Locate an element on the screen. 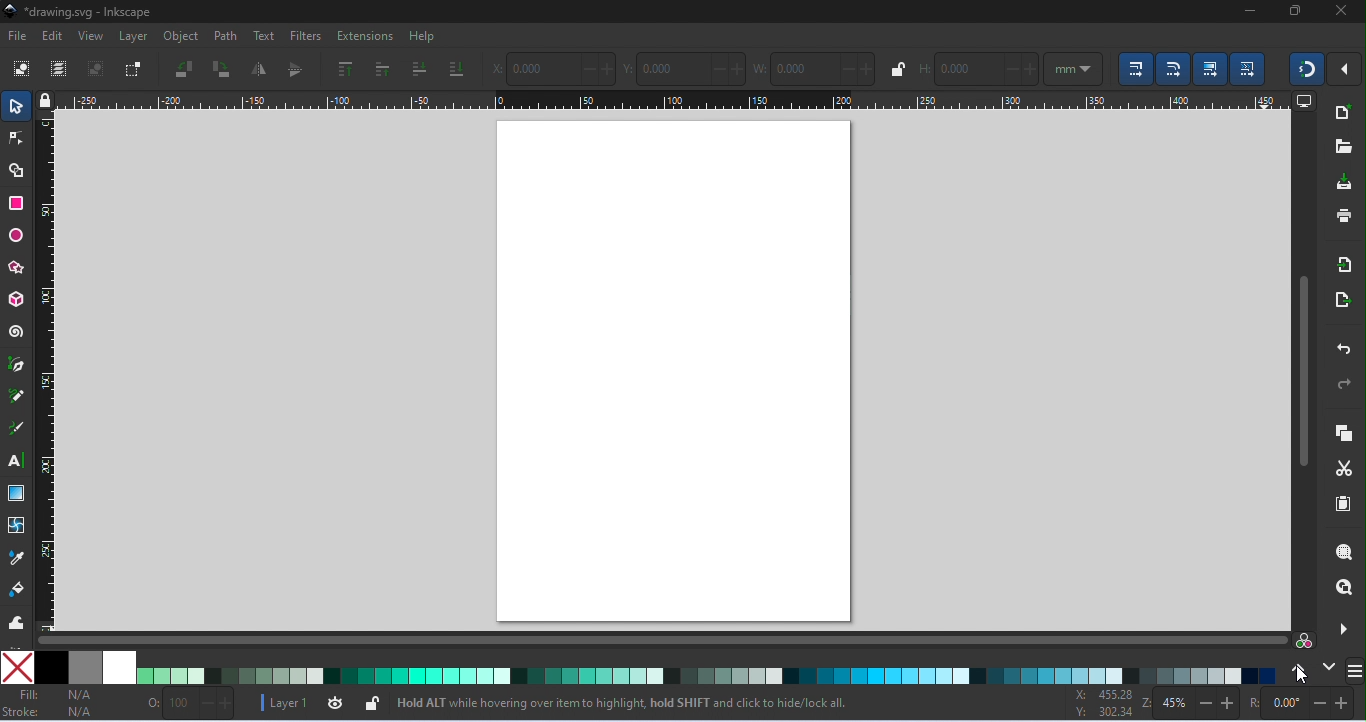  previous color shade is located at coordinates (1297, 668).